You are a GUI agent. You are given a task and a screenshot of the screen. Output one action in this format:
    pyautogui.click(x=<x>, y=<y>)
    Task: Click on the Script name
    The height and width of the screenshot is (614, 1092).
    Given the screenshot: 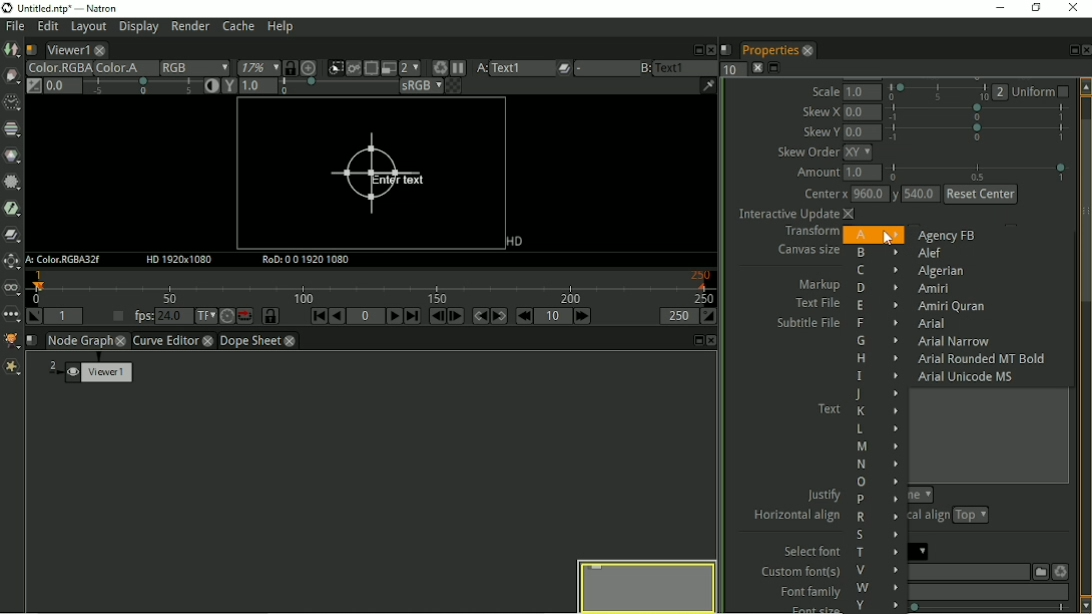 What is the action you would take?
    pyautogui.click(x=726, y=49)
    